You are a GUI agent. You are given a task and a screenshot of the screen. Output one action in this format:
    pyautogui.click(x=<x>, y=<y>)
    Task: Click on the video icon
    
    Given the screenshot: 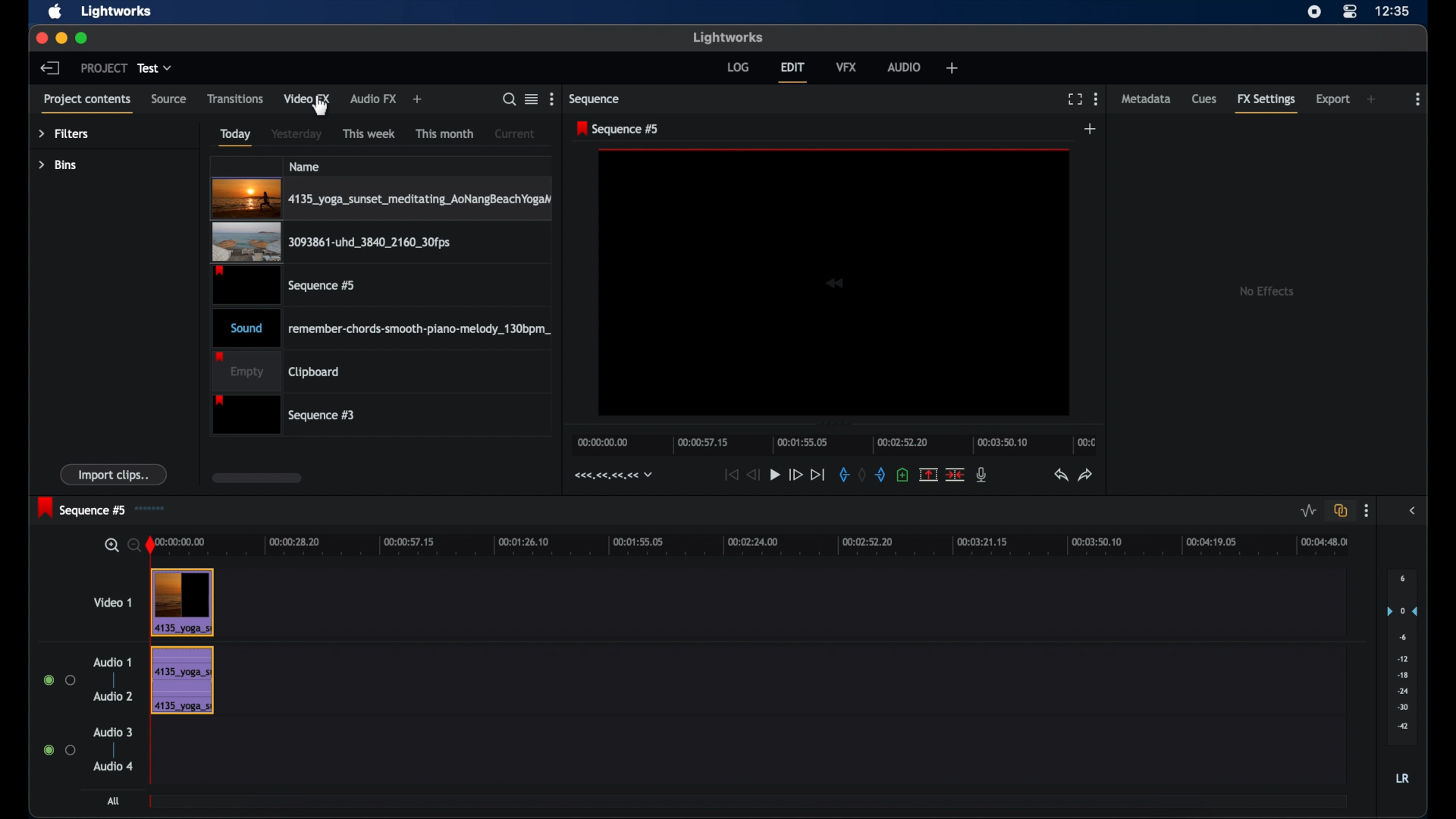 What is the action you would take?
    pyautogui.click(x=834, y=283)
    